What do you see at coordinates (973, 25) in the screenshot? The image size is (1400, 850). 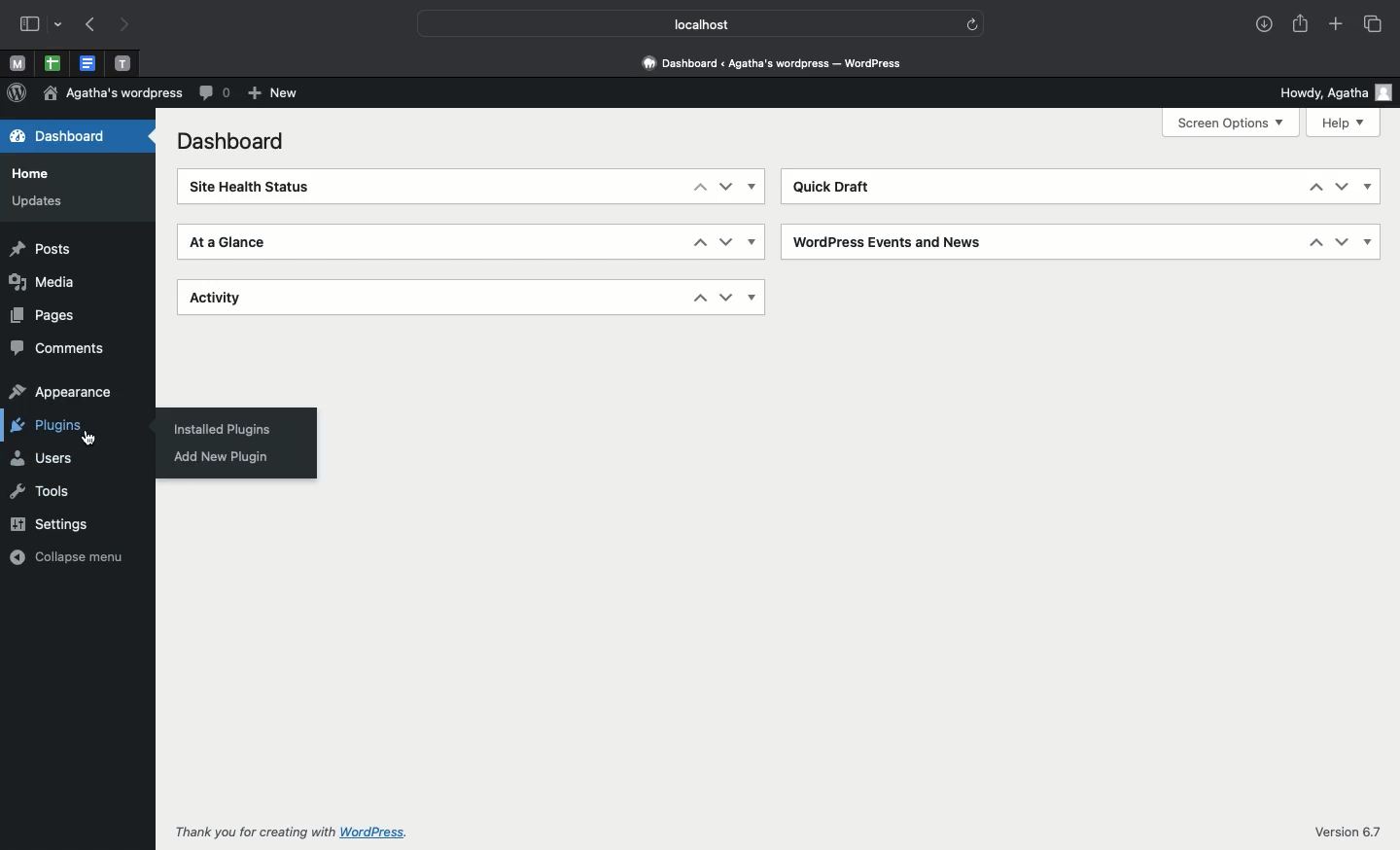 I see `refresh` at bounding box center [973, 25].